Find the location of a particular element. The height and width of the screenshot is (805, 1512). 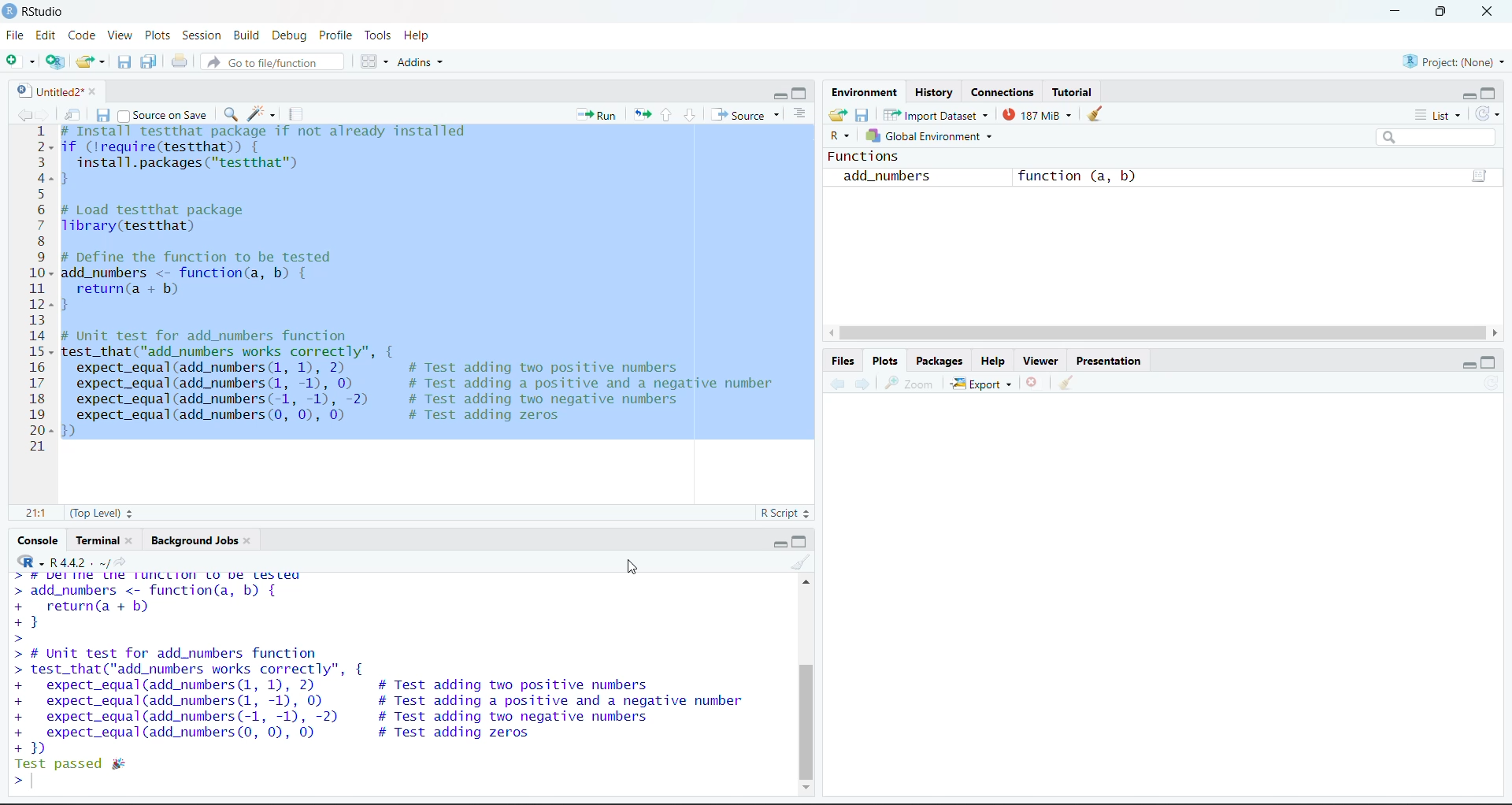

line number is located at coordinates (43, 288).